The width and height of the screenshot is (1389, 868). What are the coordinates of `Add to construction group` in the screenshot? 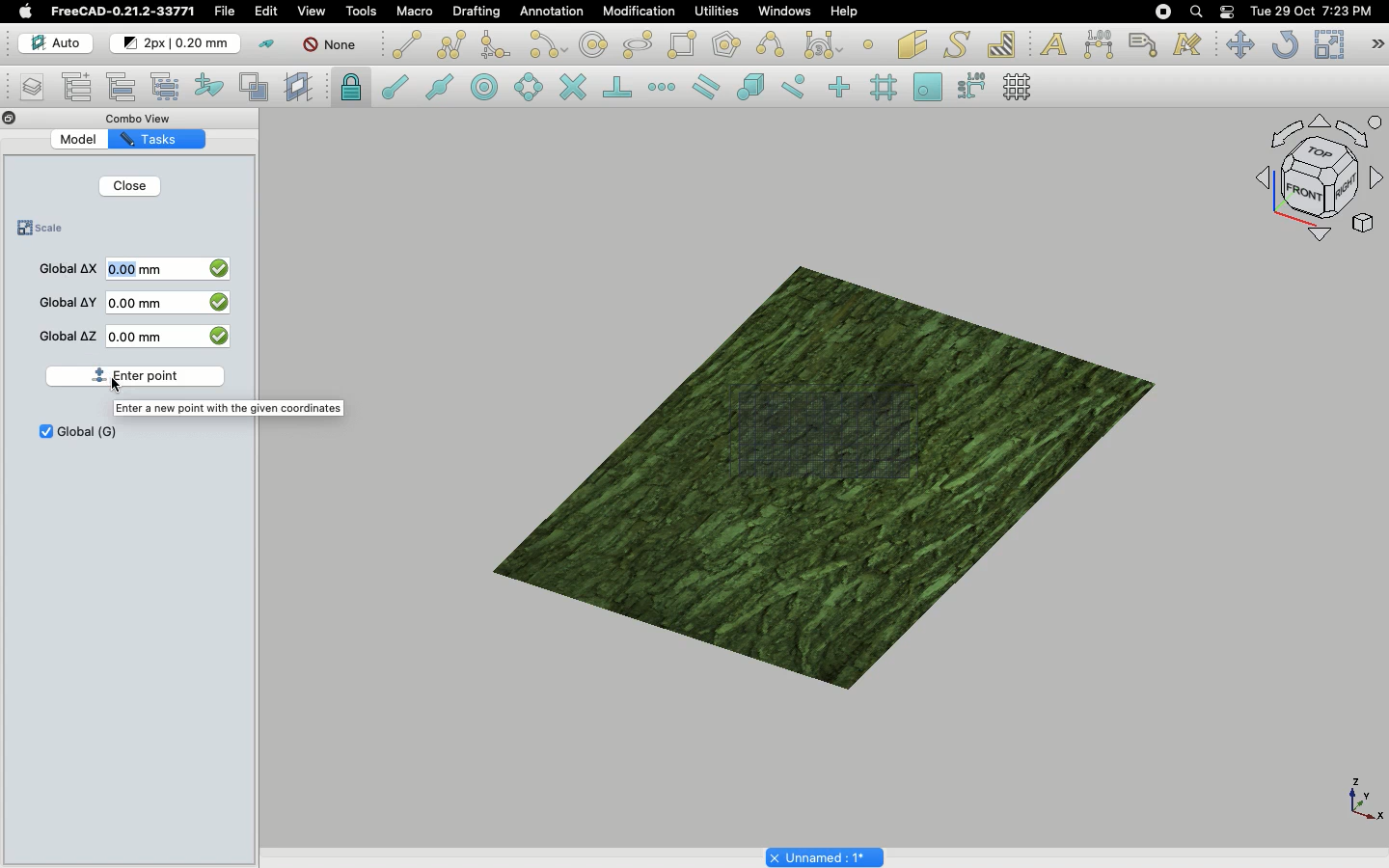 It's located at (210, 89).